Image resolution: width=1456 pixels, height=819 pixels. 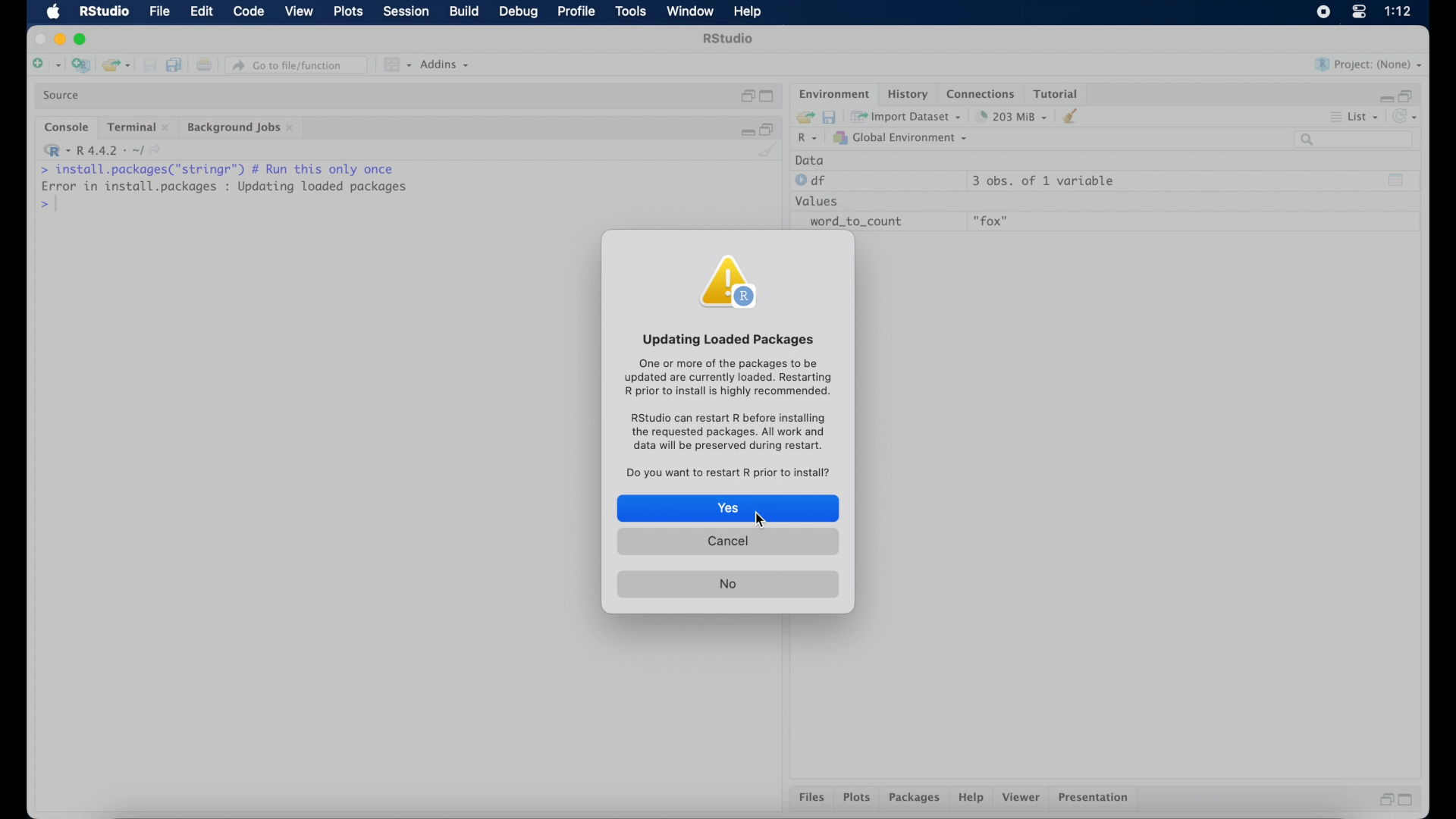 I want to click on profile, so click(x=575, y=12).